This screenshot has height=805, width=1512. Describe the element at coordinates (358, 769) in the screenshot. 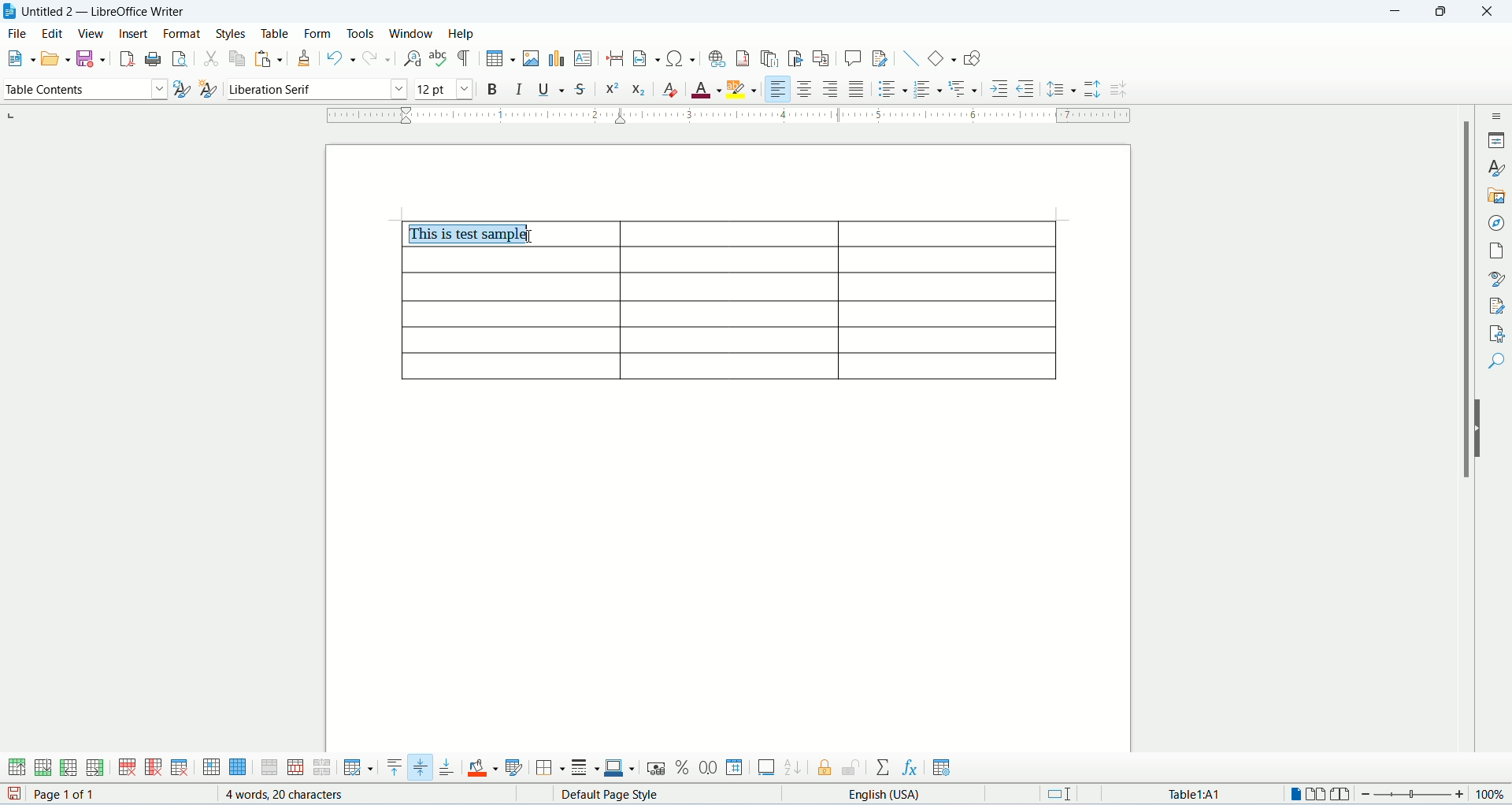

I see `optimize size` at that location.